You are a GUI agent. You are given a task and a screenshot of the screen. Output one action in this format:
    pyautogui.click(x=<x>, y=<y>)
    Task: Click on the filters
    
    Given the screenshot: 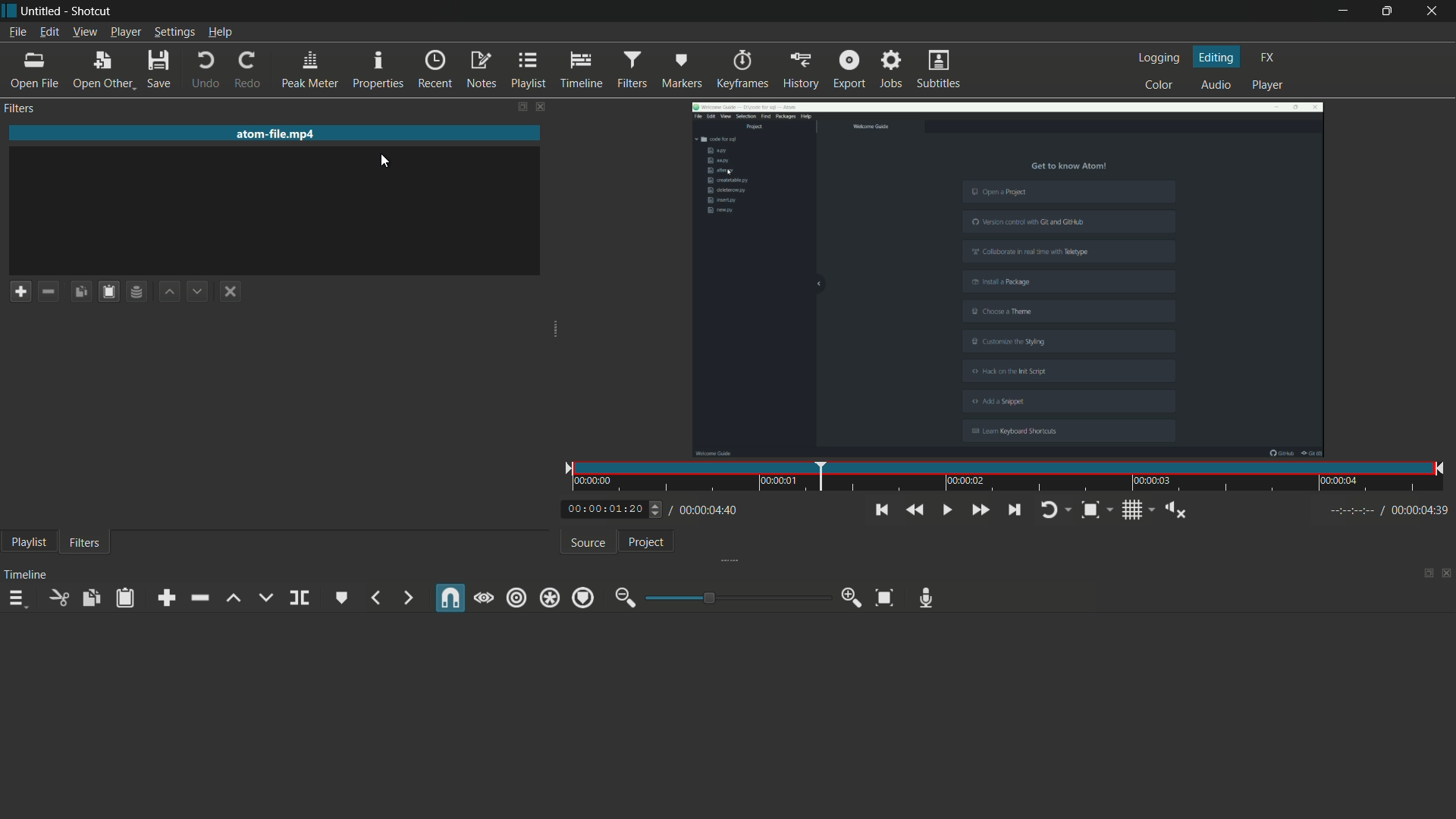 What is the action you would take?
    pyautogui.click(x=83, y=544)
    